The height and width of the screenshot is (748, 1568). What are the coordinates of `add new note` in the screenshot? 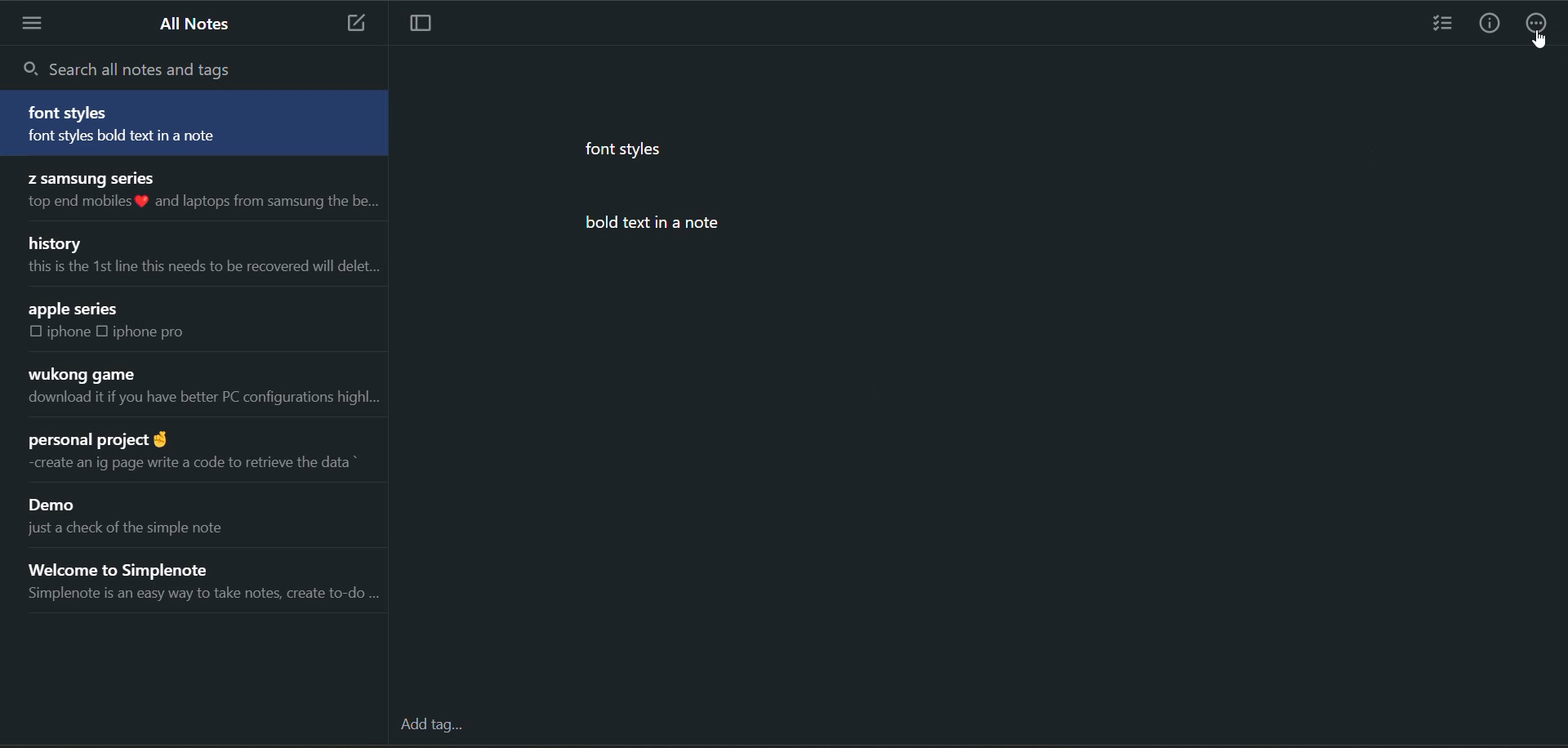 It's located at (350, 24).